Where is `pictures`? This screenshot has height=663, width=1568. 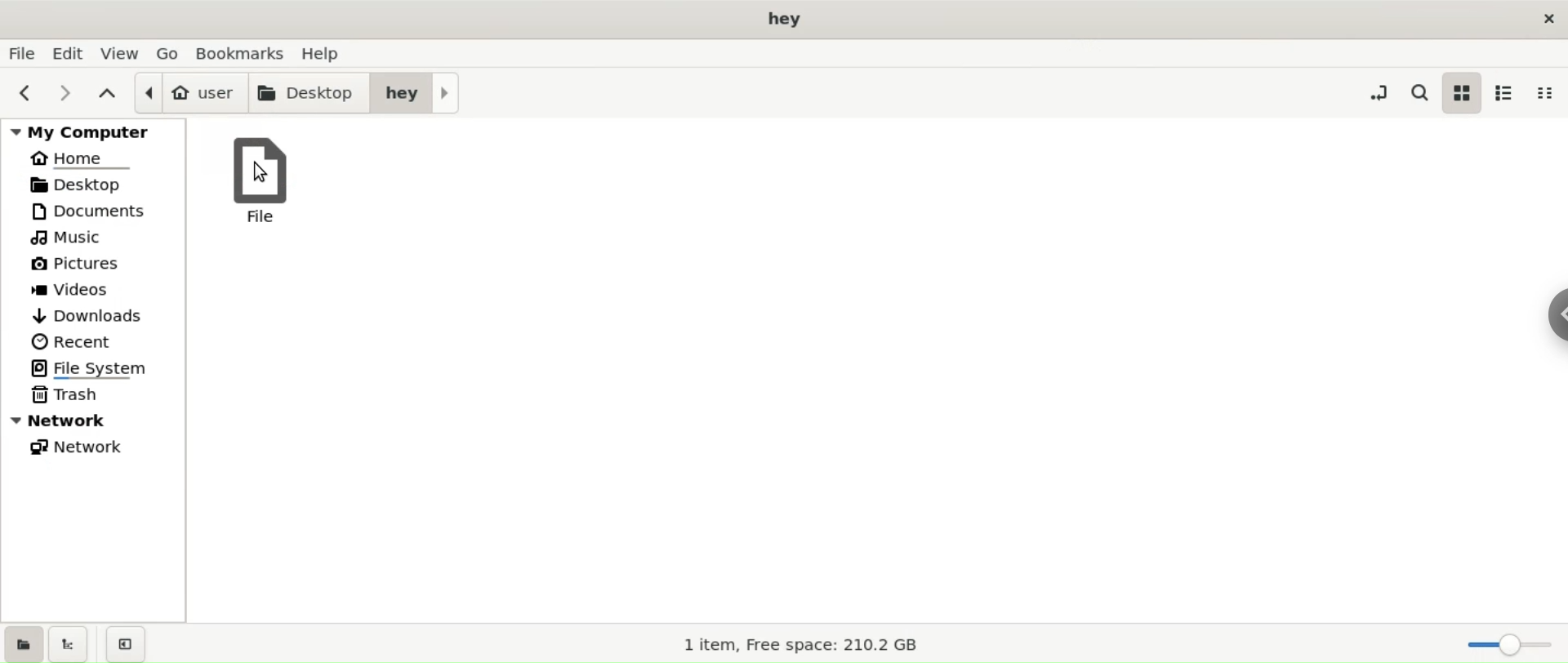
pictures is located at coordinates (96, 265).